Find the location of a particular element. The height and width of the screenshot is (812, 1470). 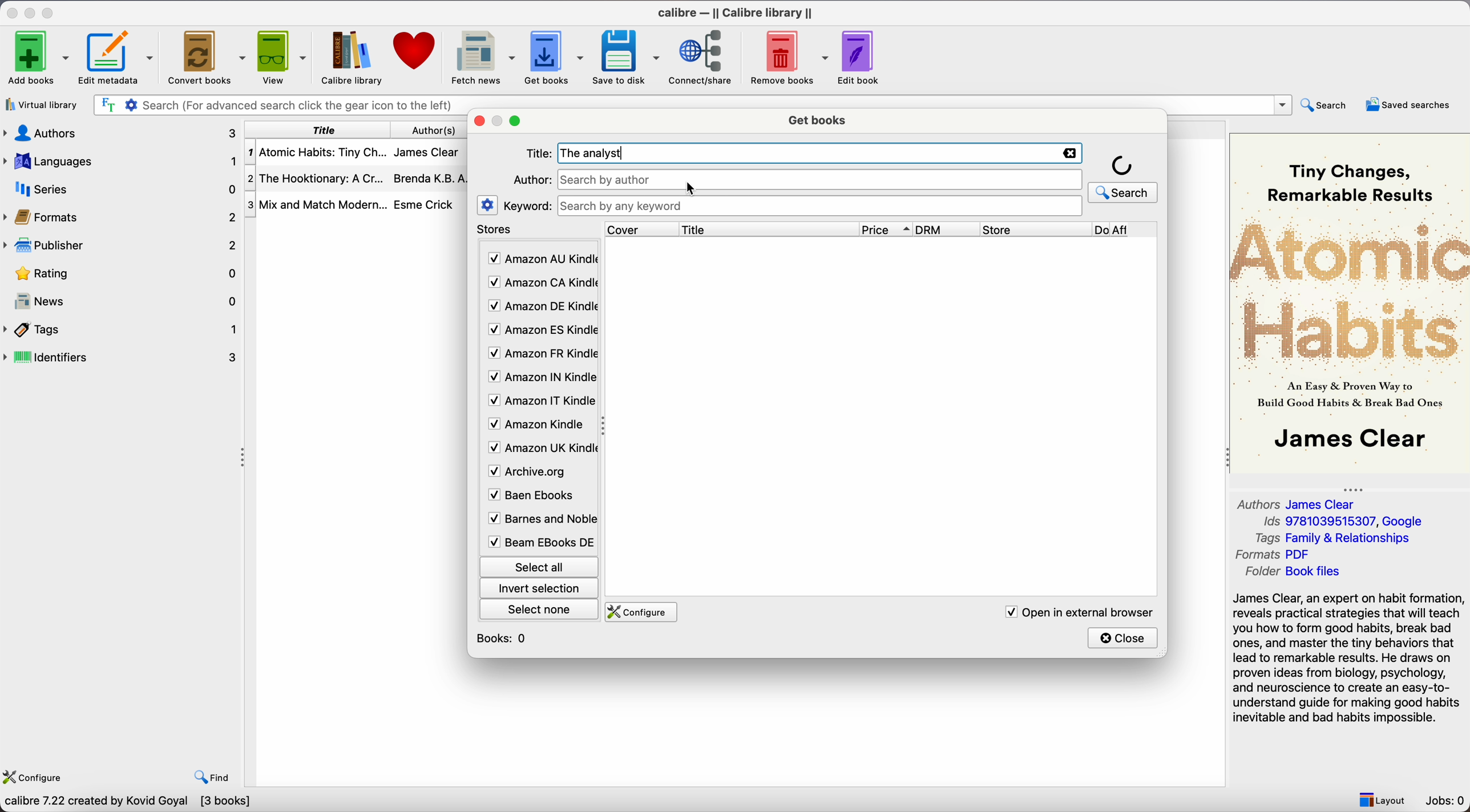

search bar is located at coordinates (821, 206).